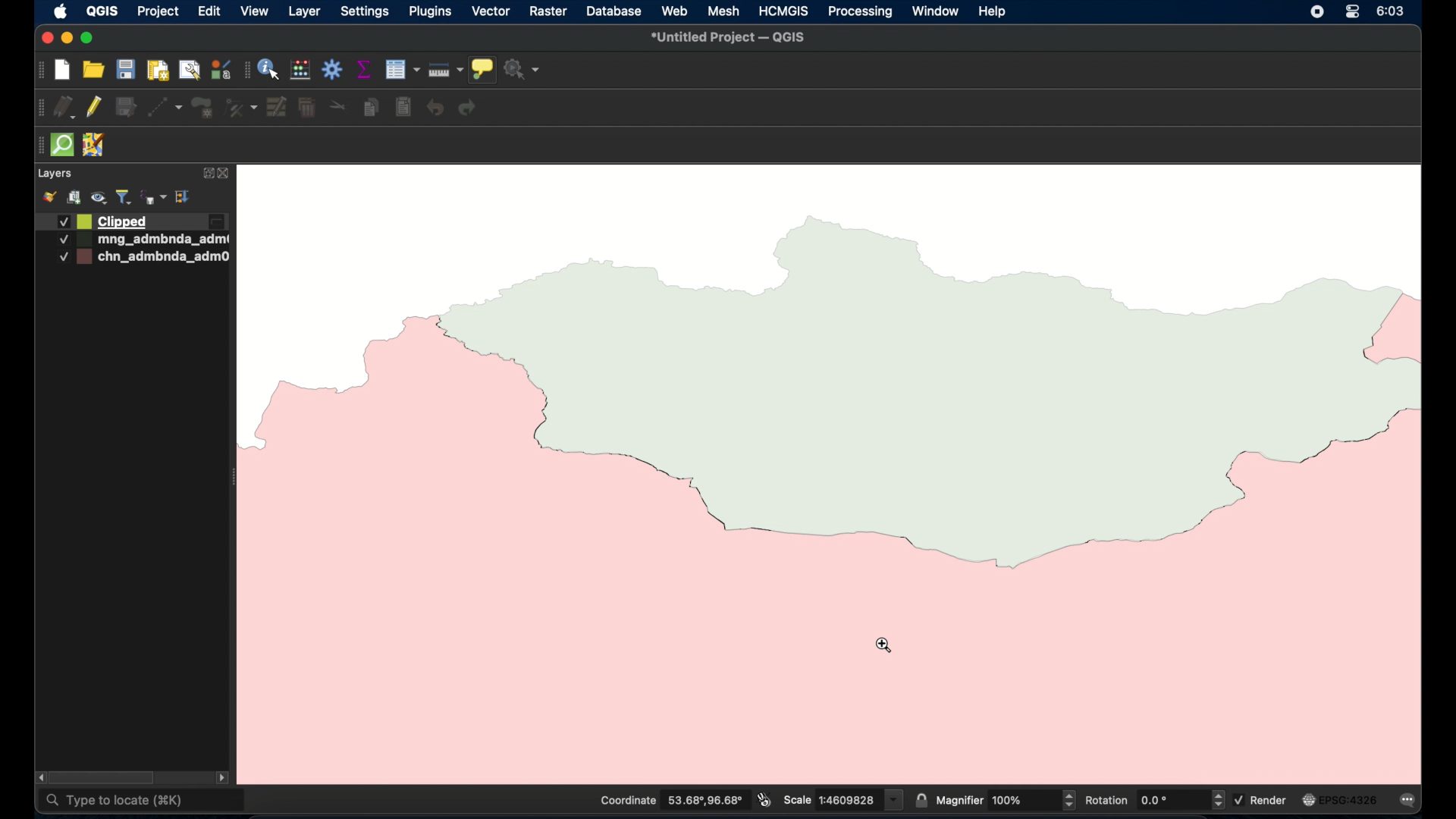  I want to click on minimize, so click(67, 39).